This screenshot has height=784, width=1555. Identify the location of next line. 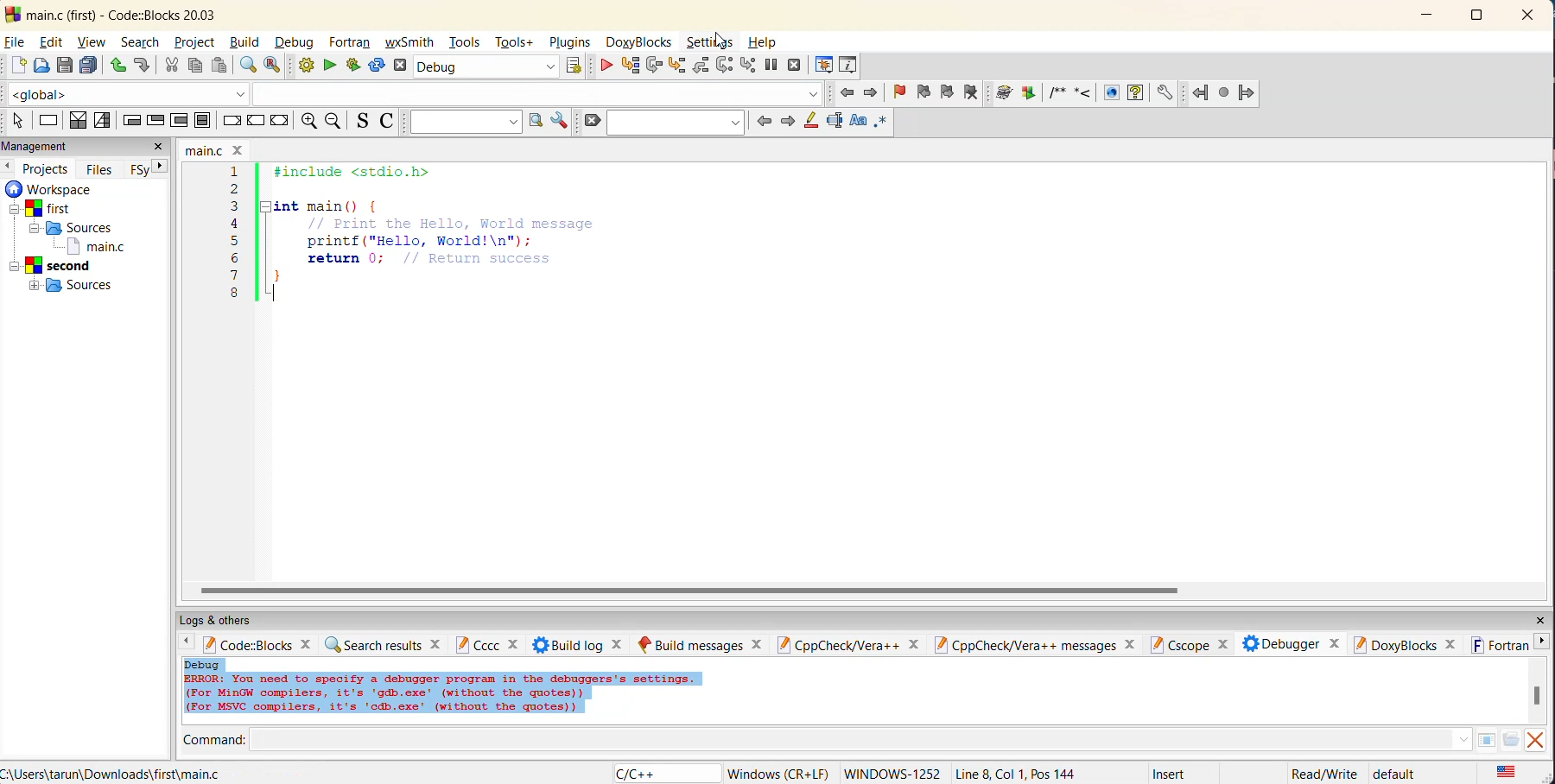
(652, 66).